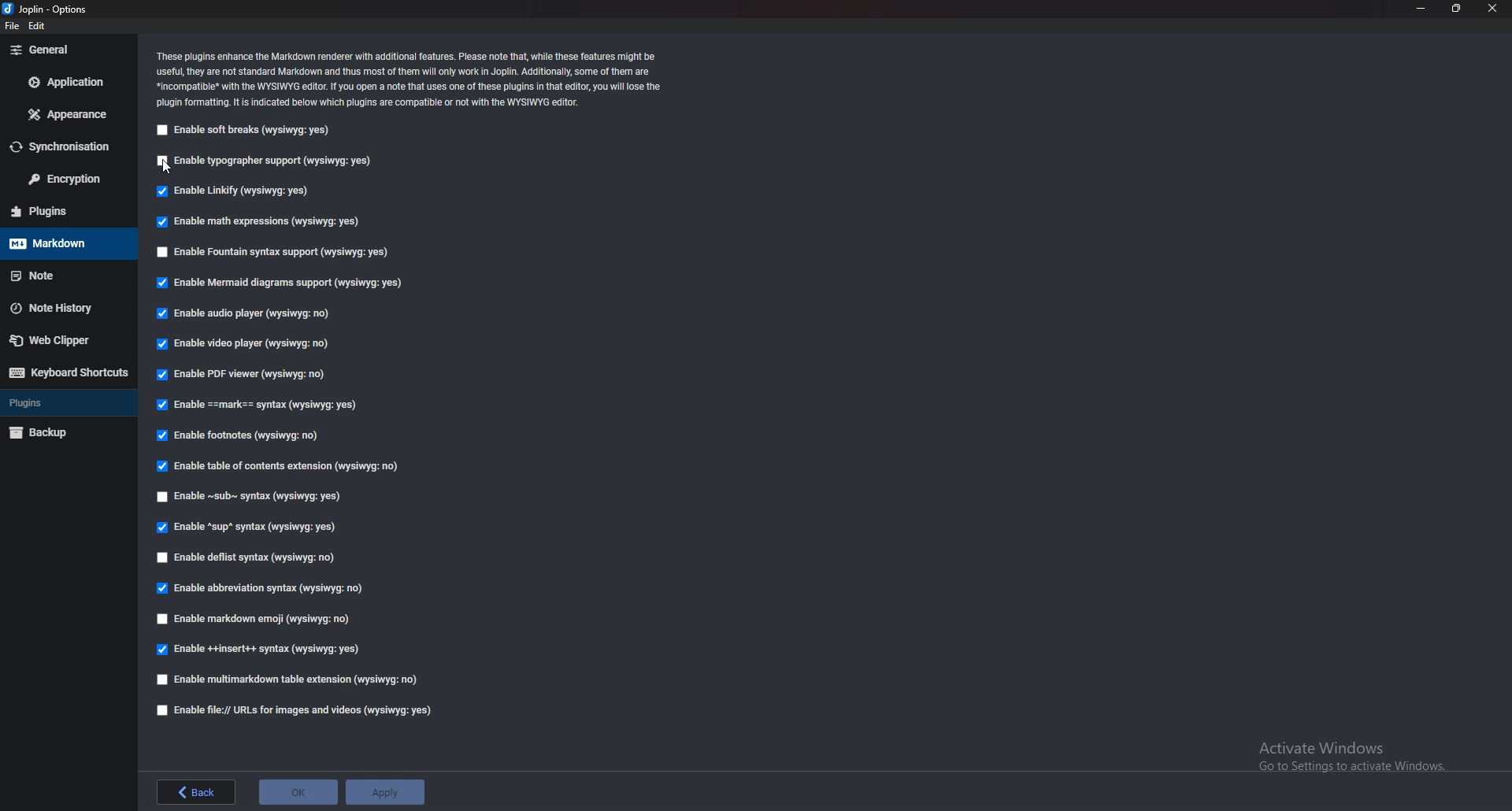 This screenshot has width=1512, height=811. Describe the element at coordinates (264, 161) in the screenshot. I see `enable typographer support` at that location.